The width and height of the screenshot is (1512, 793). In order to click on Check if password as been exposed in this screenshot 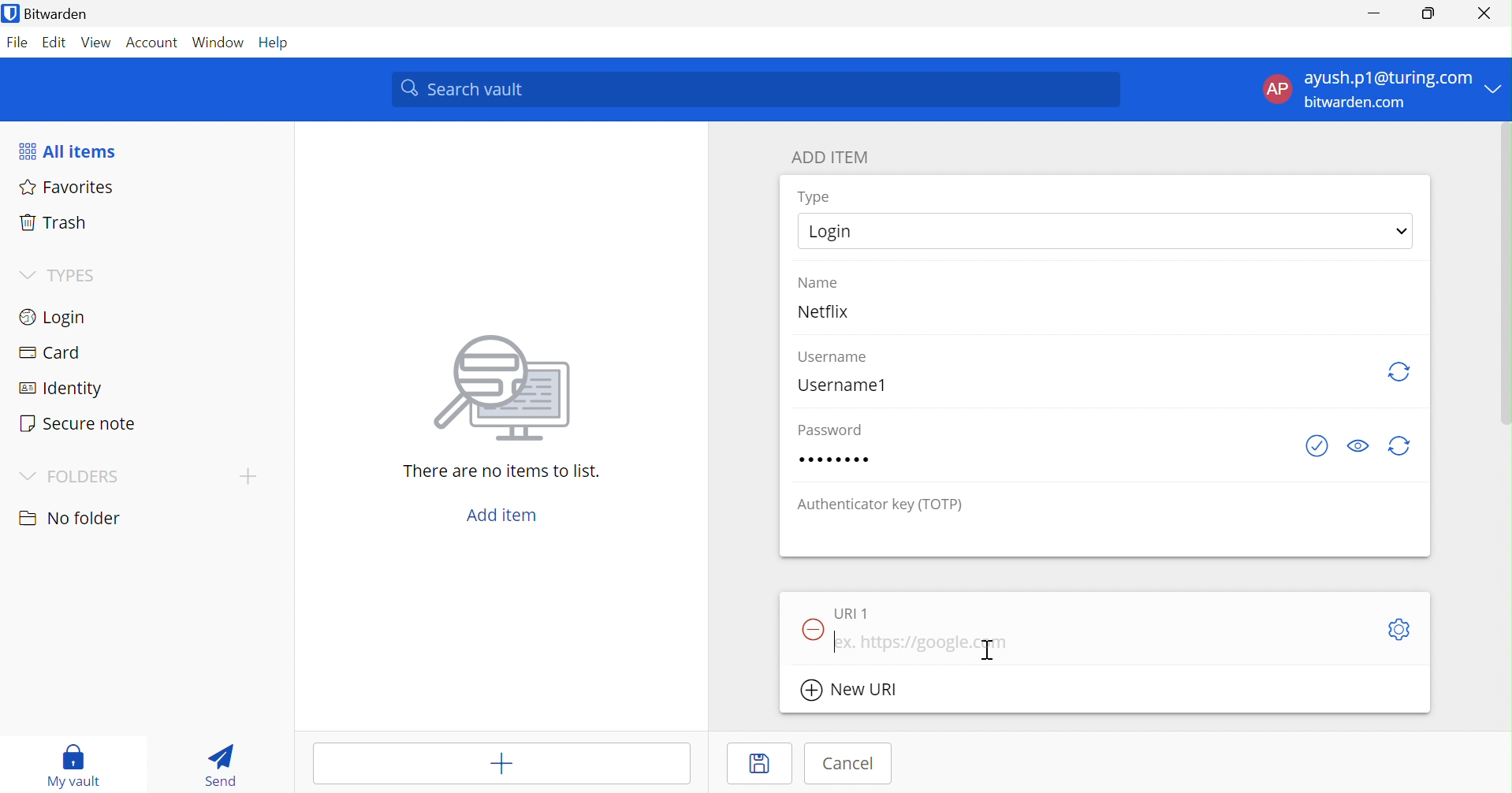, I will do `click(1316, 446)`.